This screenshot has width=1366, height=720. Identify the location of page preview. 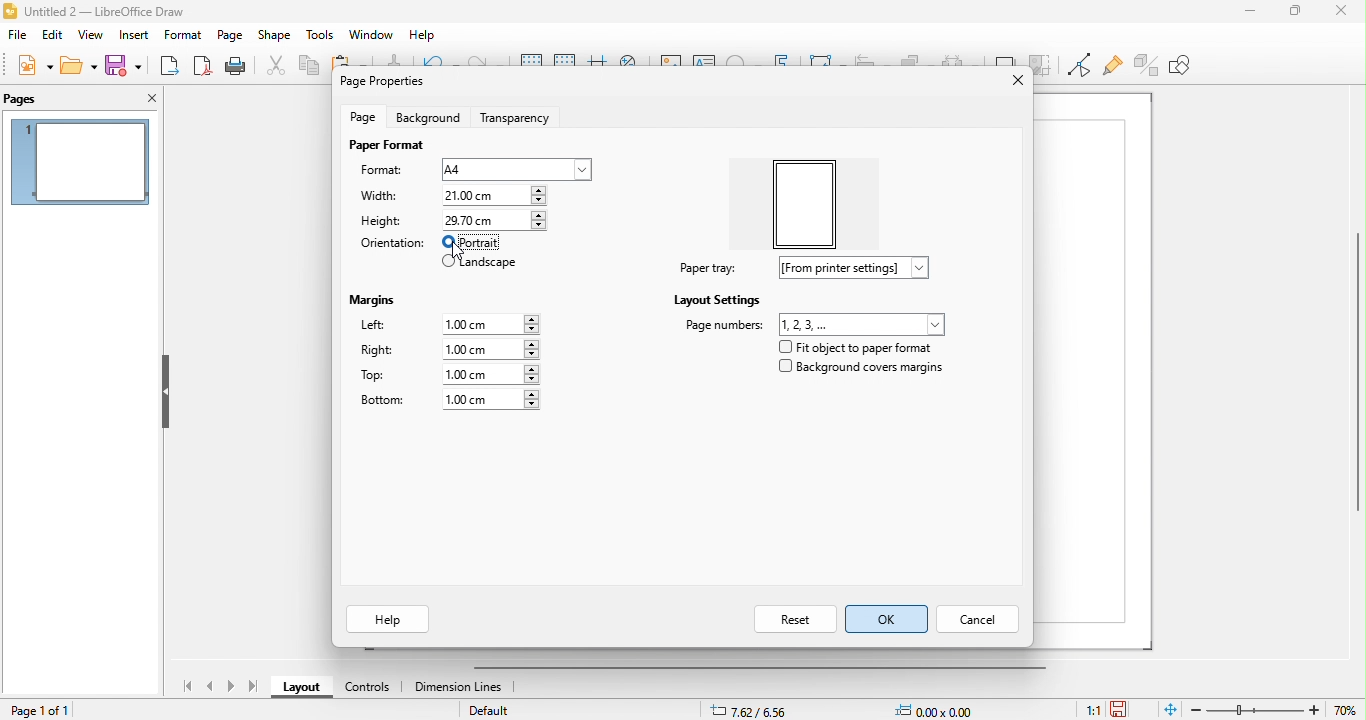
(80, 162).